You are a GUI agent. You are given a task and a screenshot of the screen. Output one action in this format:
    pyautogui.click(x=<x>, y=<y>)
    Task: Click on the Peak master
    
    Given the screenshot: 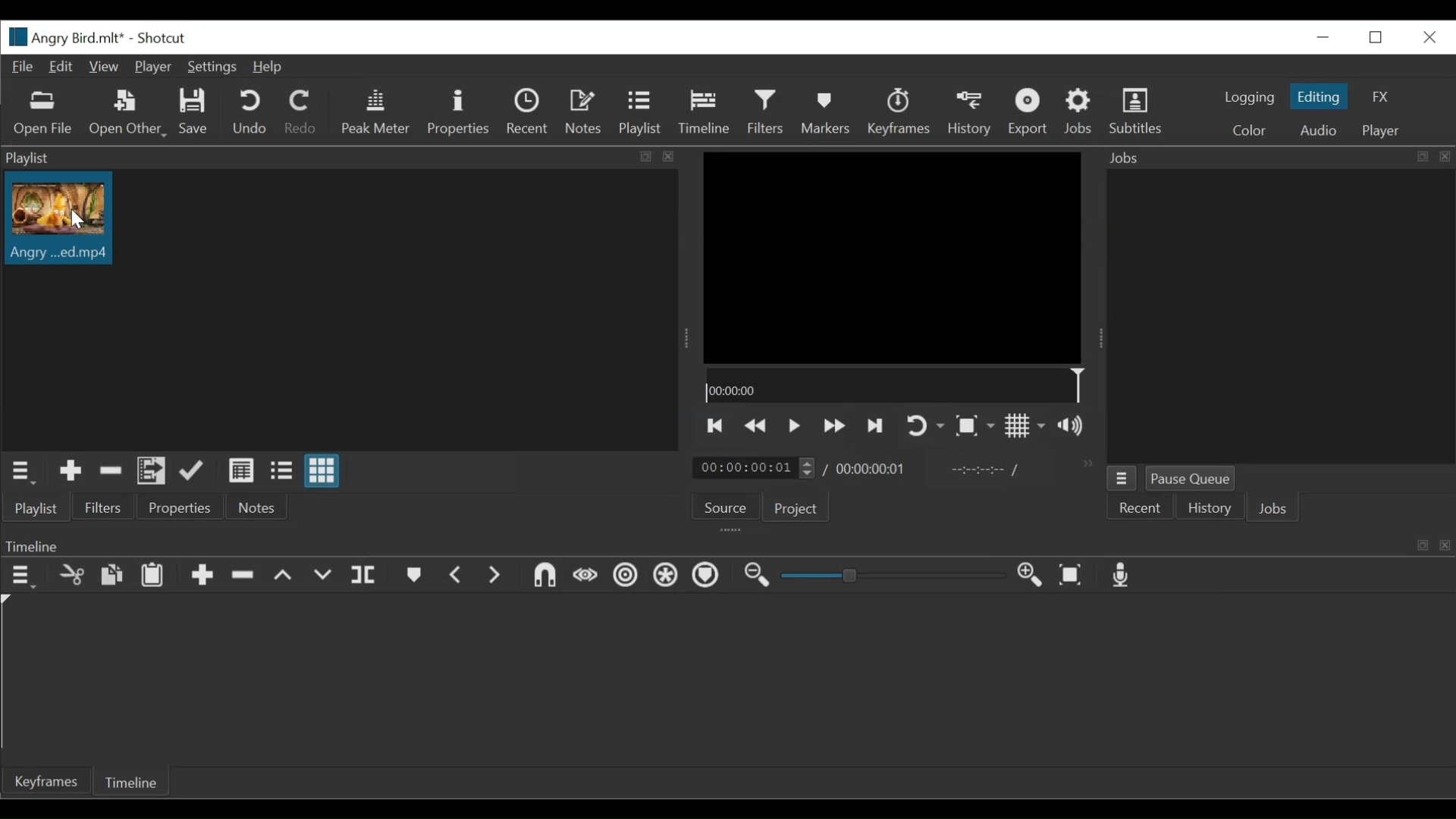 What is the action you would take?
    pyautogui.click(x=377, y=114)
    